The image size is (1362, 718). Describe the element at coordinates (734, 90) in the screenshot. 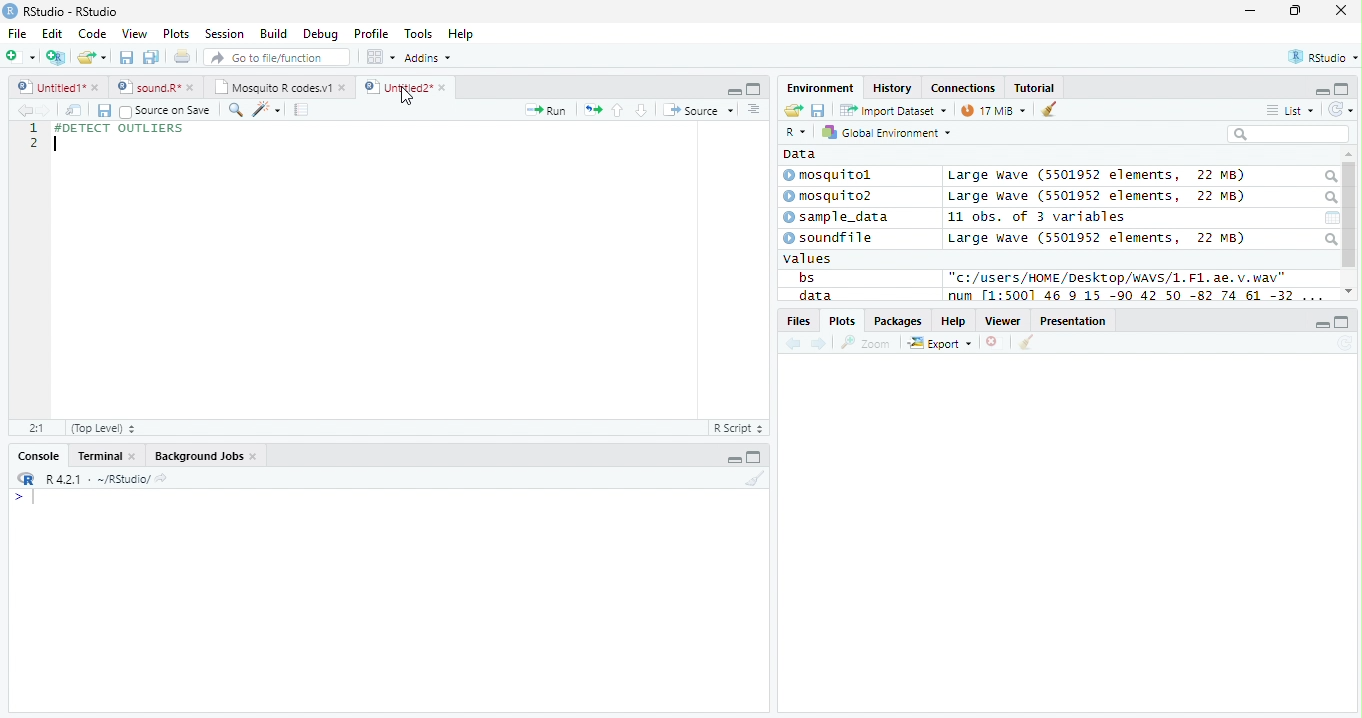

I see `minimize` at that location.